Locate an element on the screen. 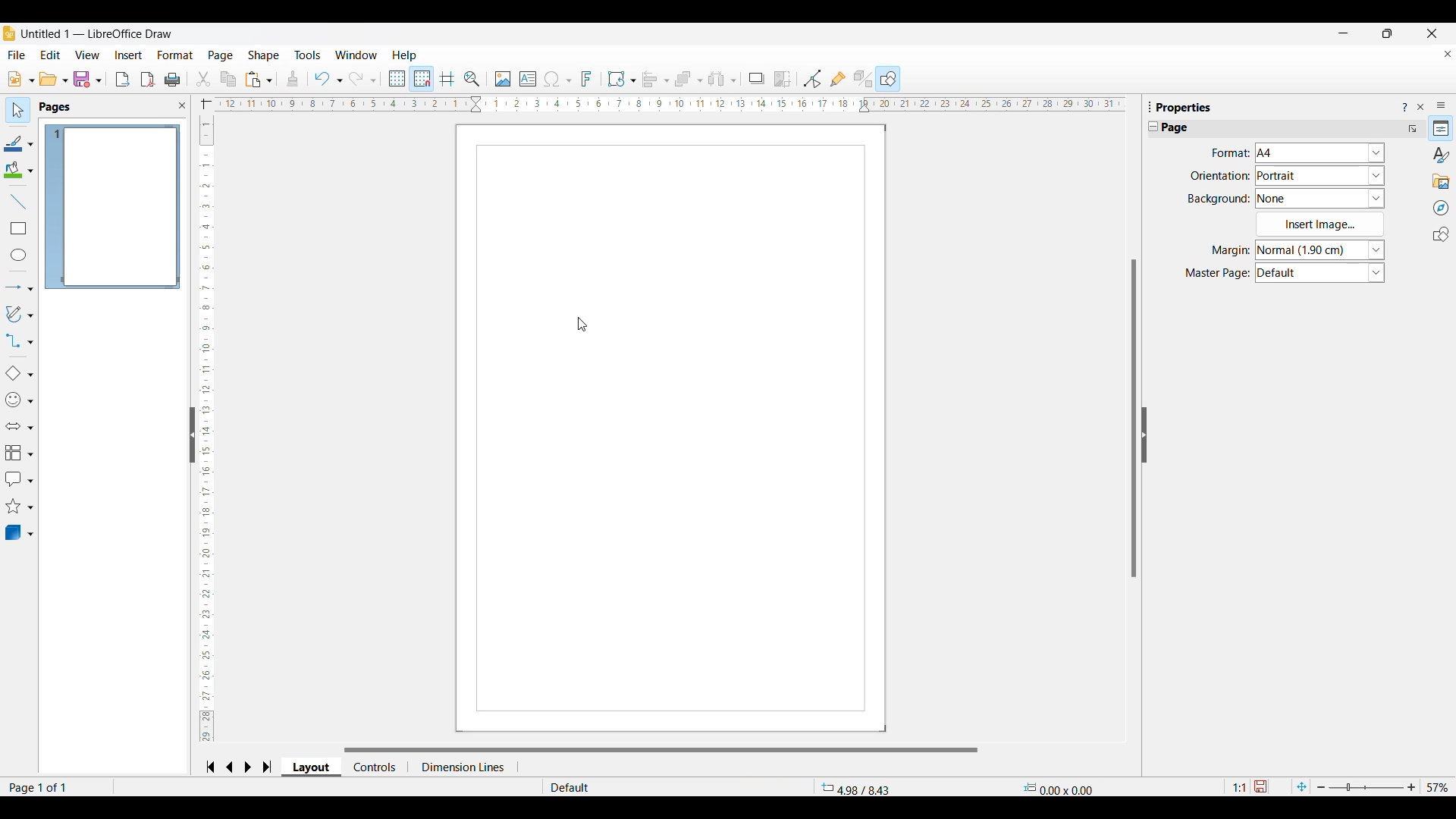  Normal (1.90 cm) is located at coordinates (1323, 249).